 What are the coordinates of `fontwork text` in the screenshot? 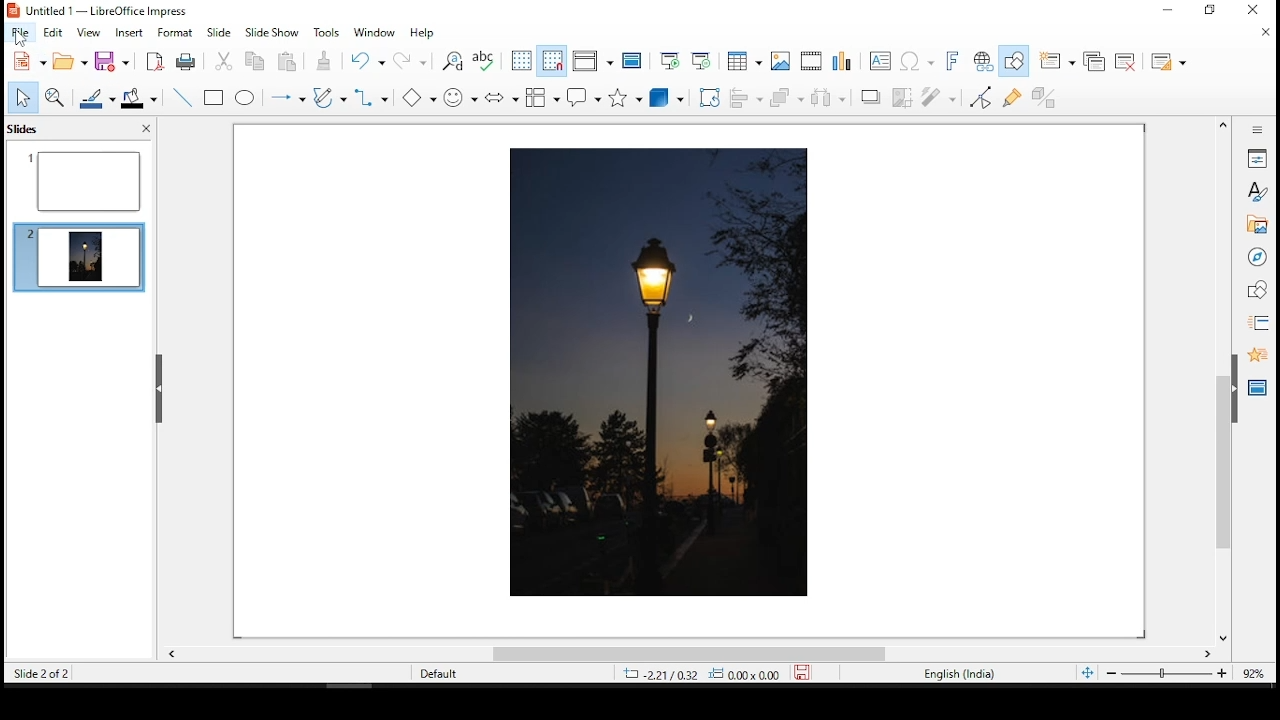 It's located at (955, 59).